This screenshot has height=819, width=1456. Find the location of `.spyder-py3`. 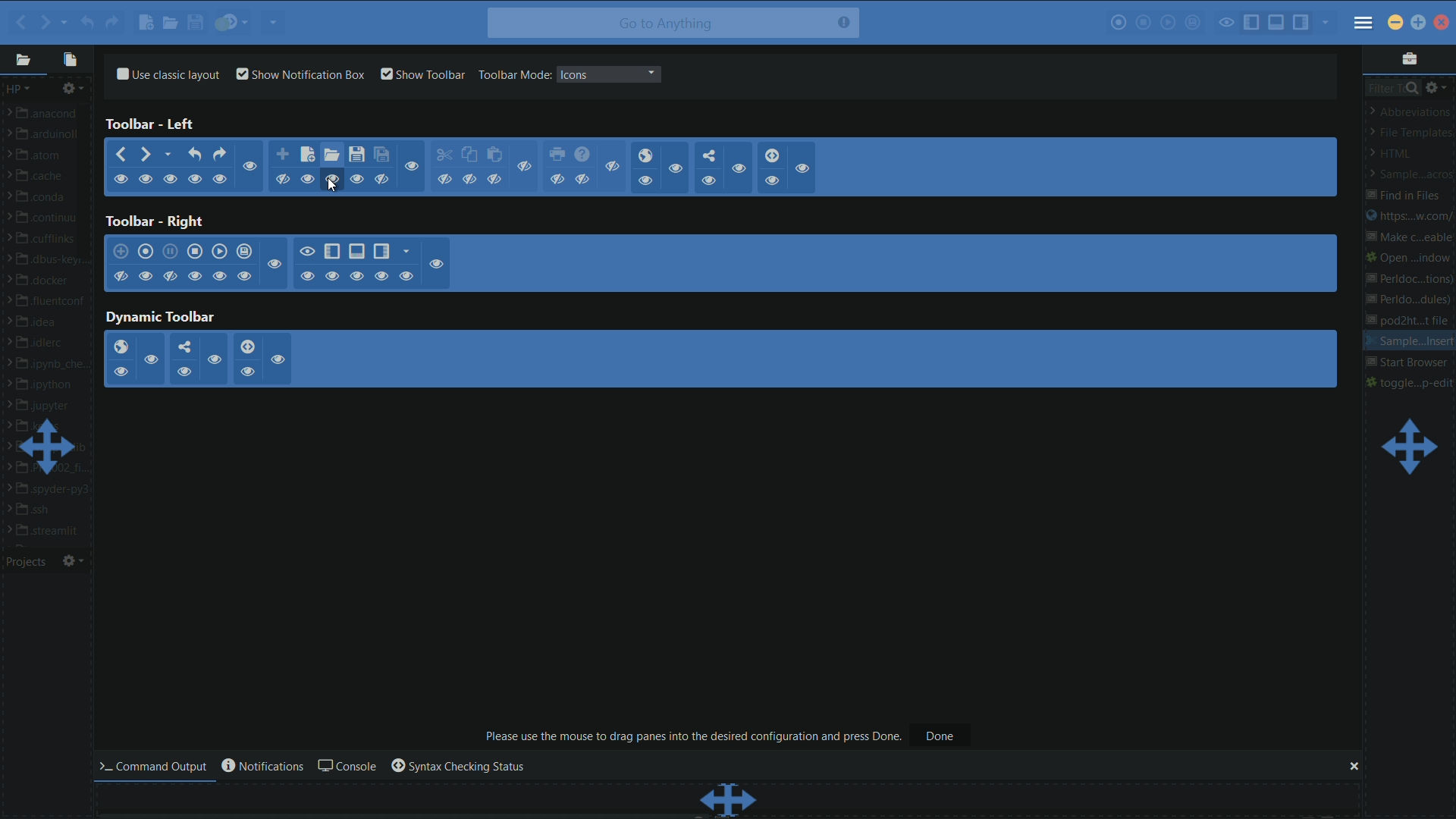

.spyder-py3 is located at coordinates (53, 490).